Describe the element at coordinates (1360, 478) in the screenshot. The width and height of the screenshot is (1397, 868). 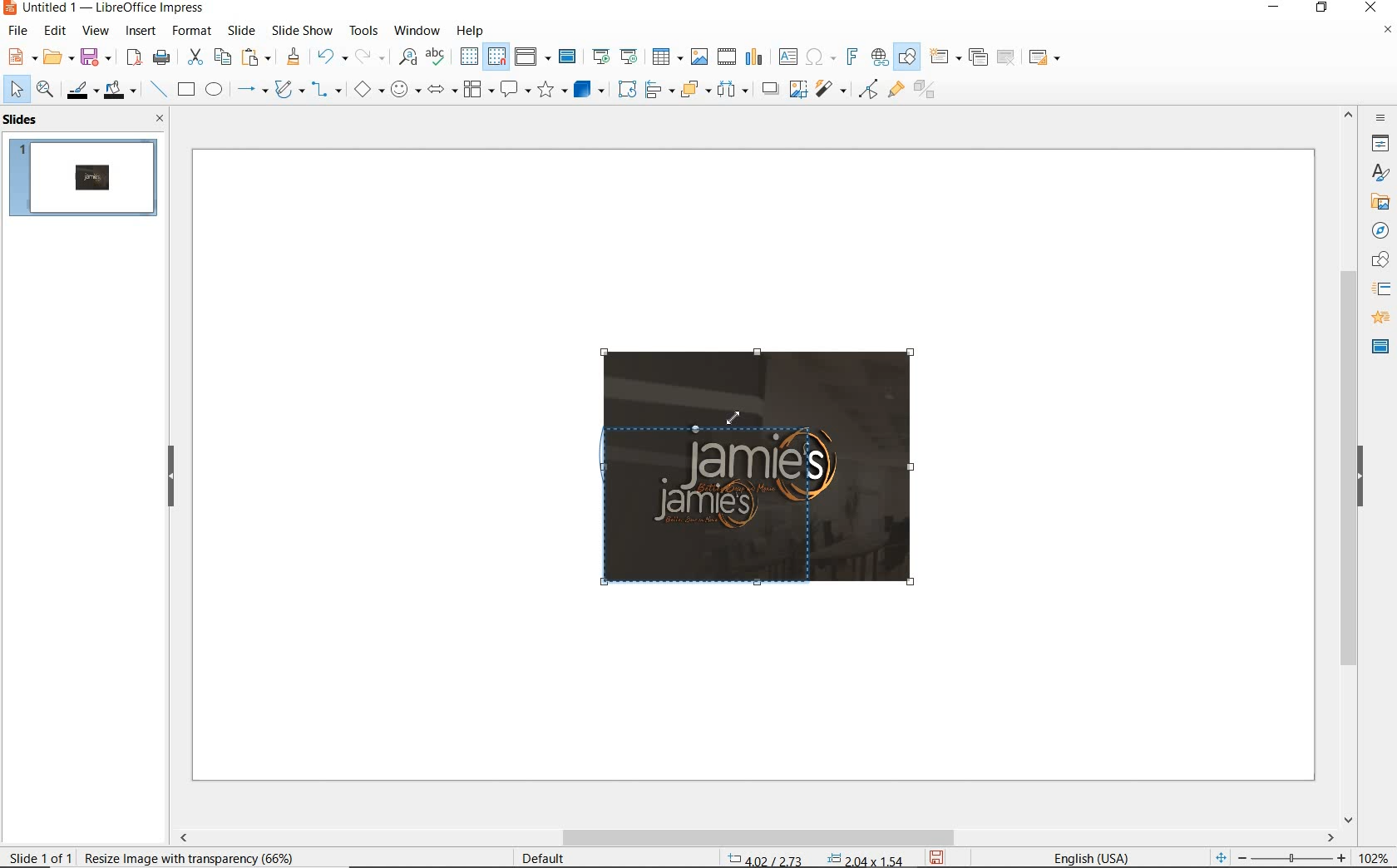
I see `hide` at that location.